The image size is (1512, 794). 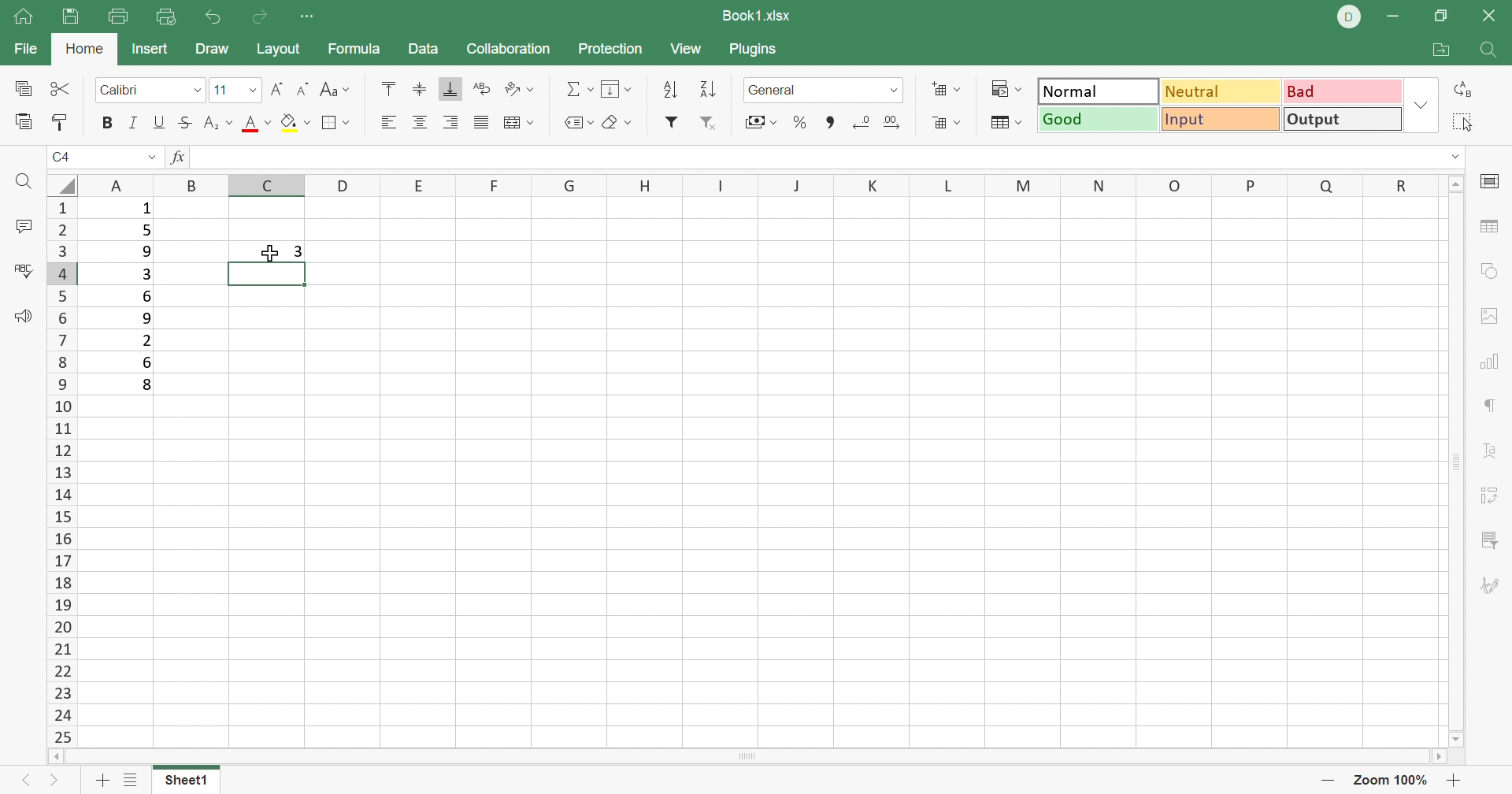 I want to click on , so click(x=146, y=232).